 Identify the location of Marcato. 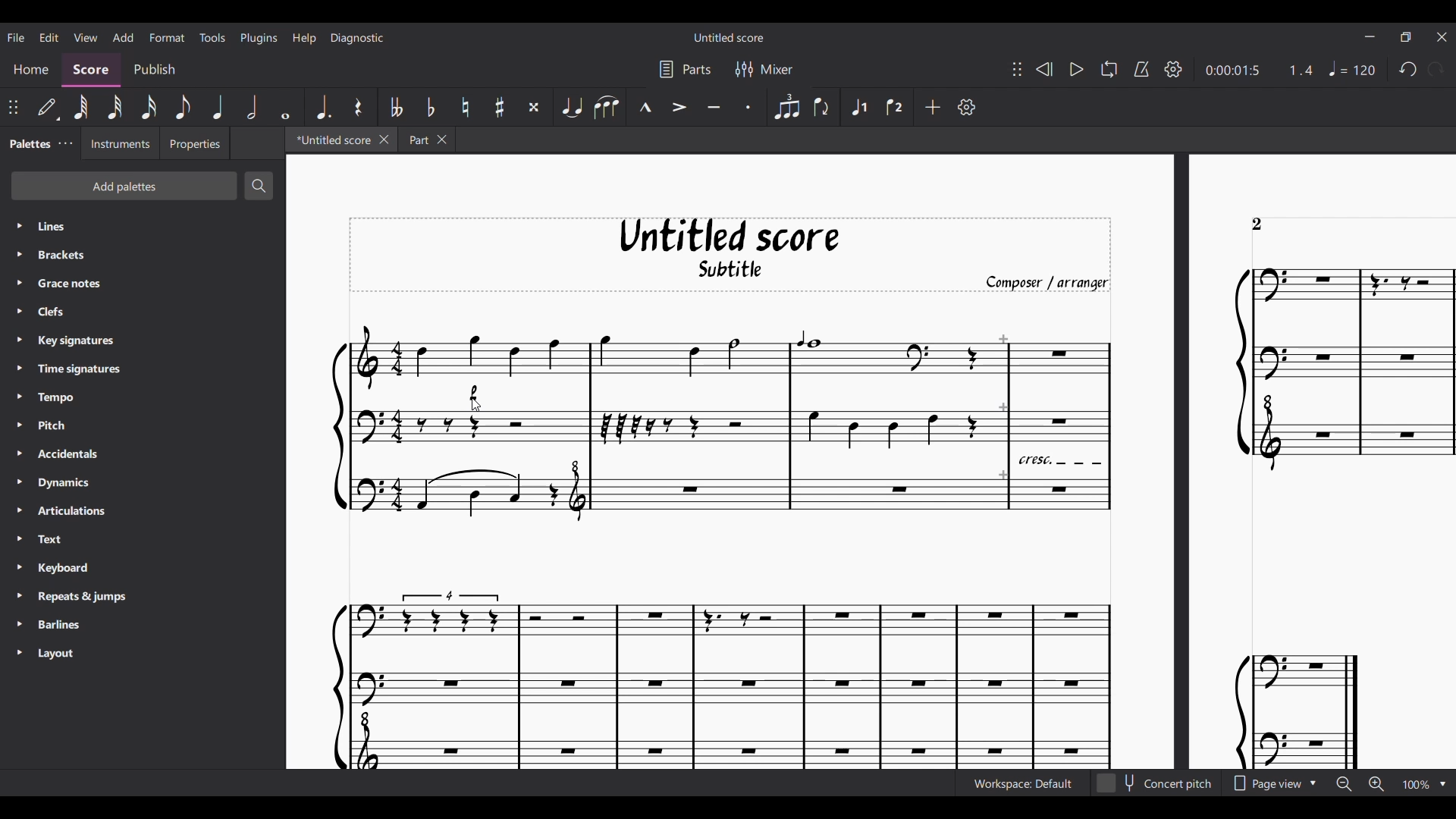
(645, 106).